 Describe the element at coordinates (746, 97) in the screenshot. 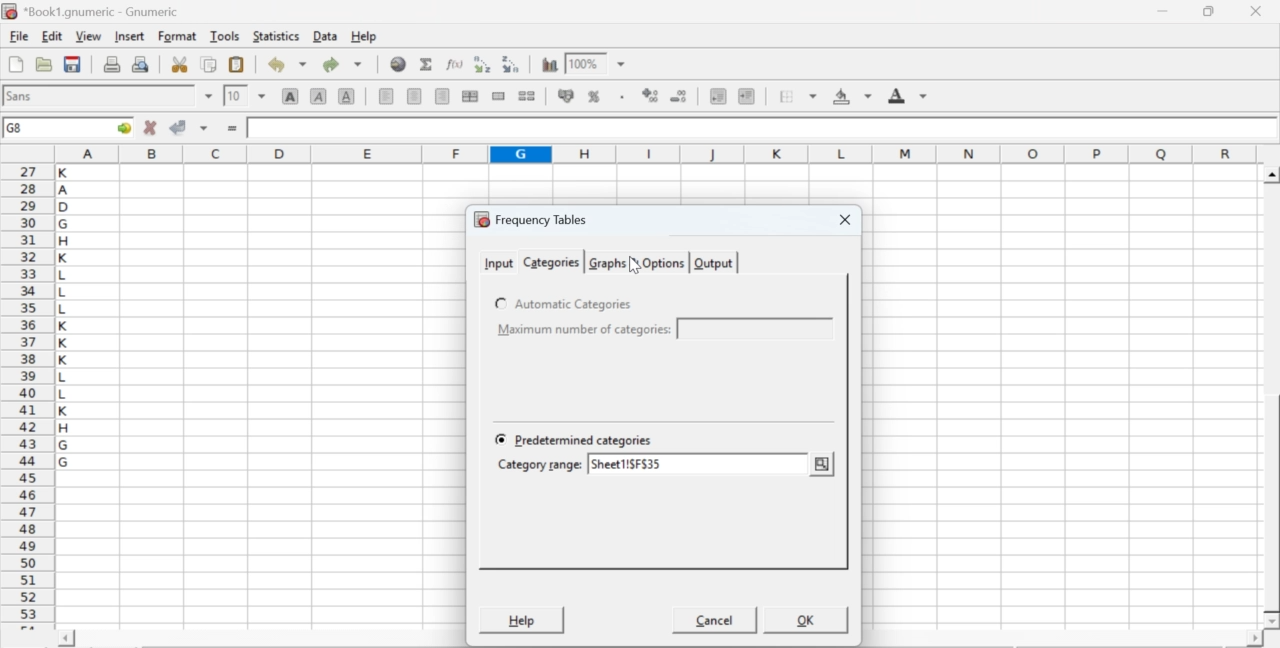

I see `increase indent` at that location.